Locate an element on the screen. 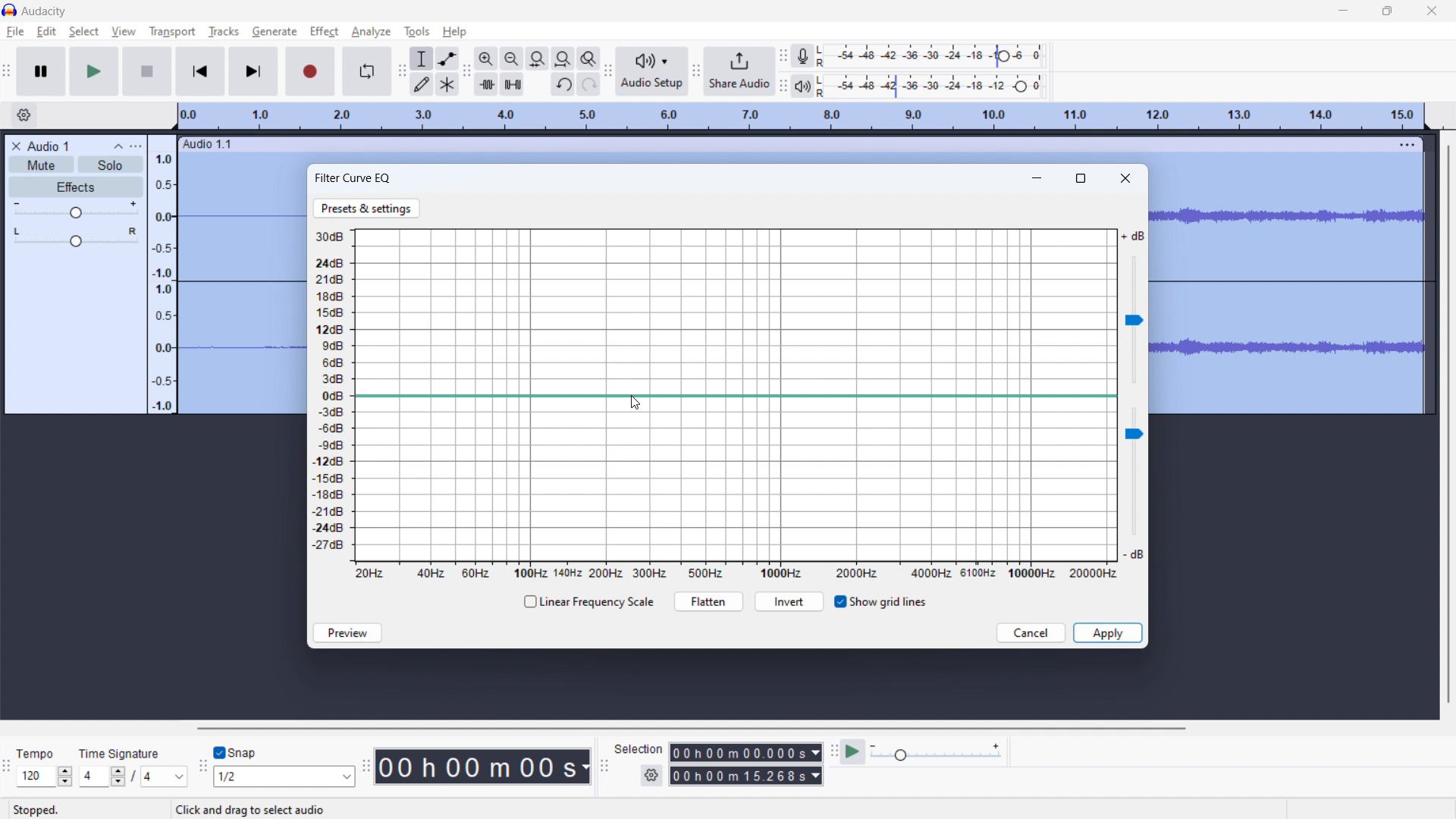  audio setup toolbar is located at coordinates (608, 71).